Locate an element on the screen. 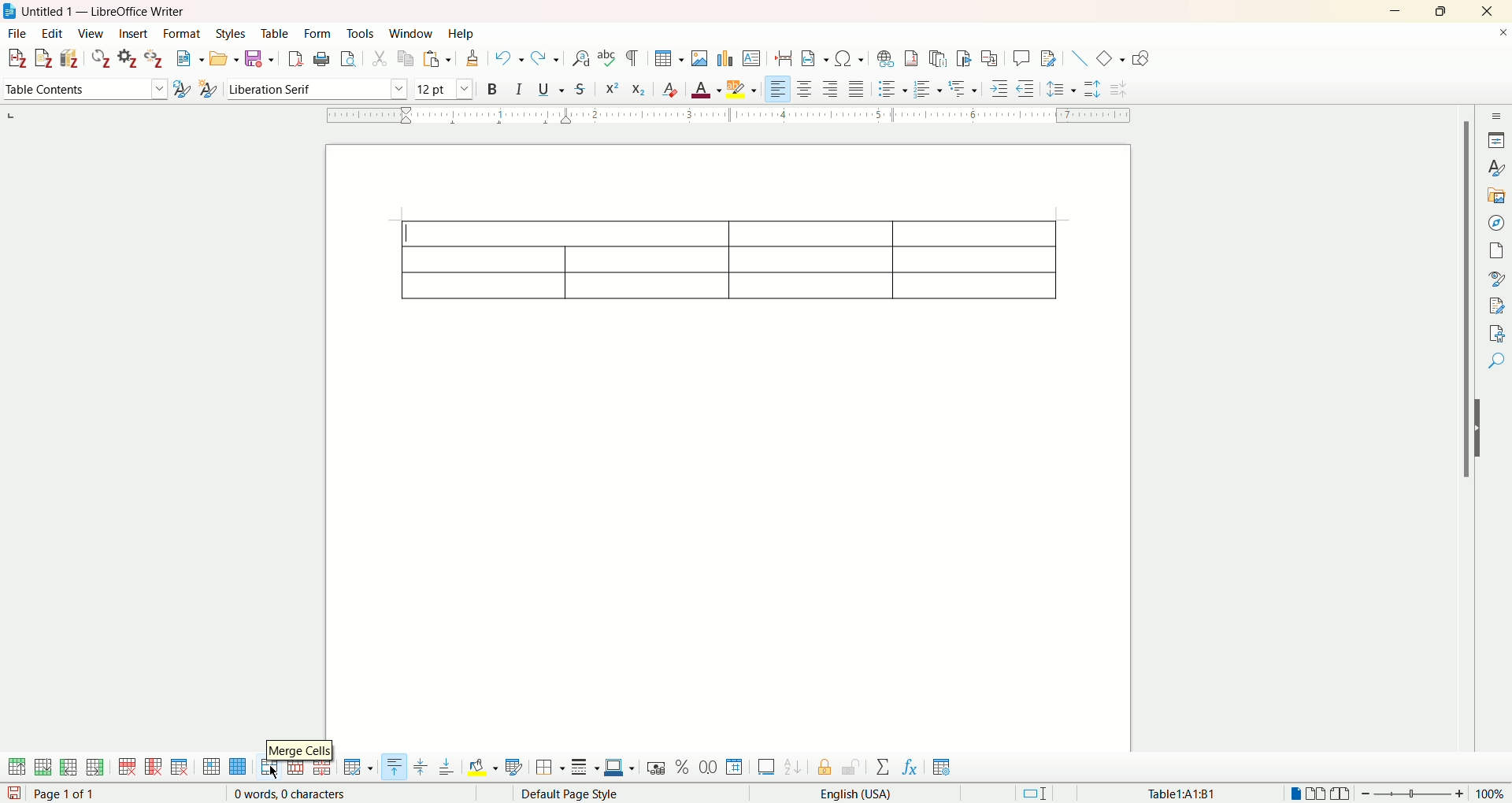 This screenshot has height=803, width=1512. refresh is located at coordinates (101, 56).